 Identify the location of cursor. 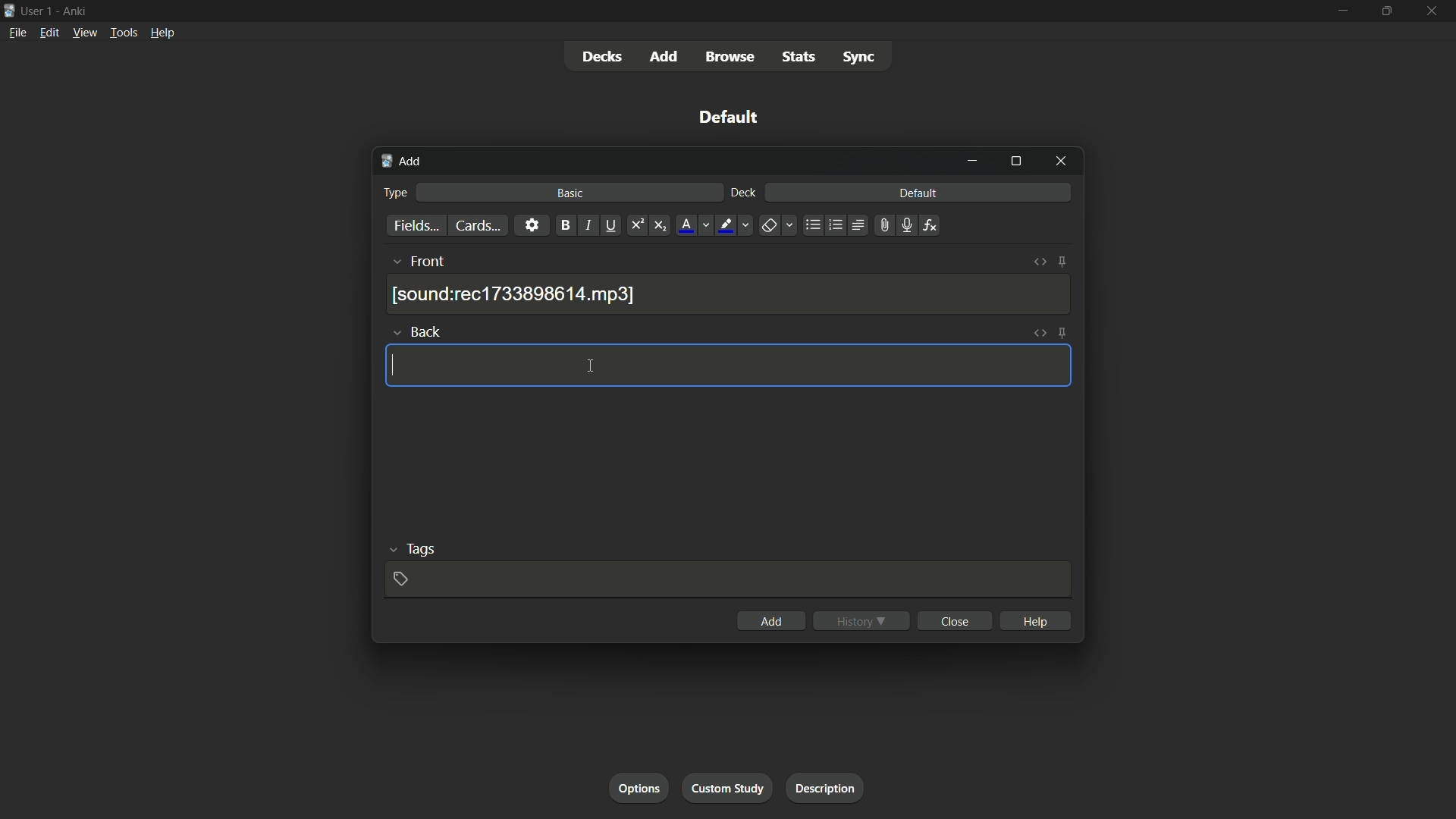
(591, 367).